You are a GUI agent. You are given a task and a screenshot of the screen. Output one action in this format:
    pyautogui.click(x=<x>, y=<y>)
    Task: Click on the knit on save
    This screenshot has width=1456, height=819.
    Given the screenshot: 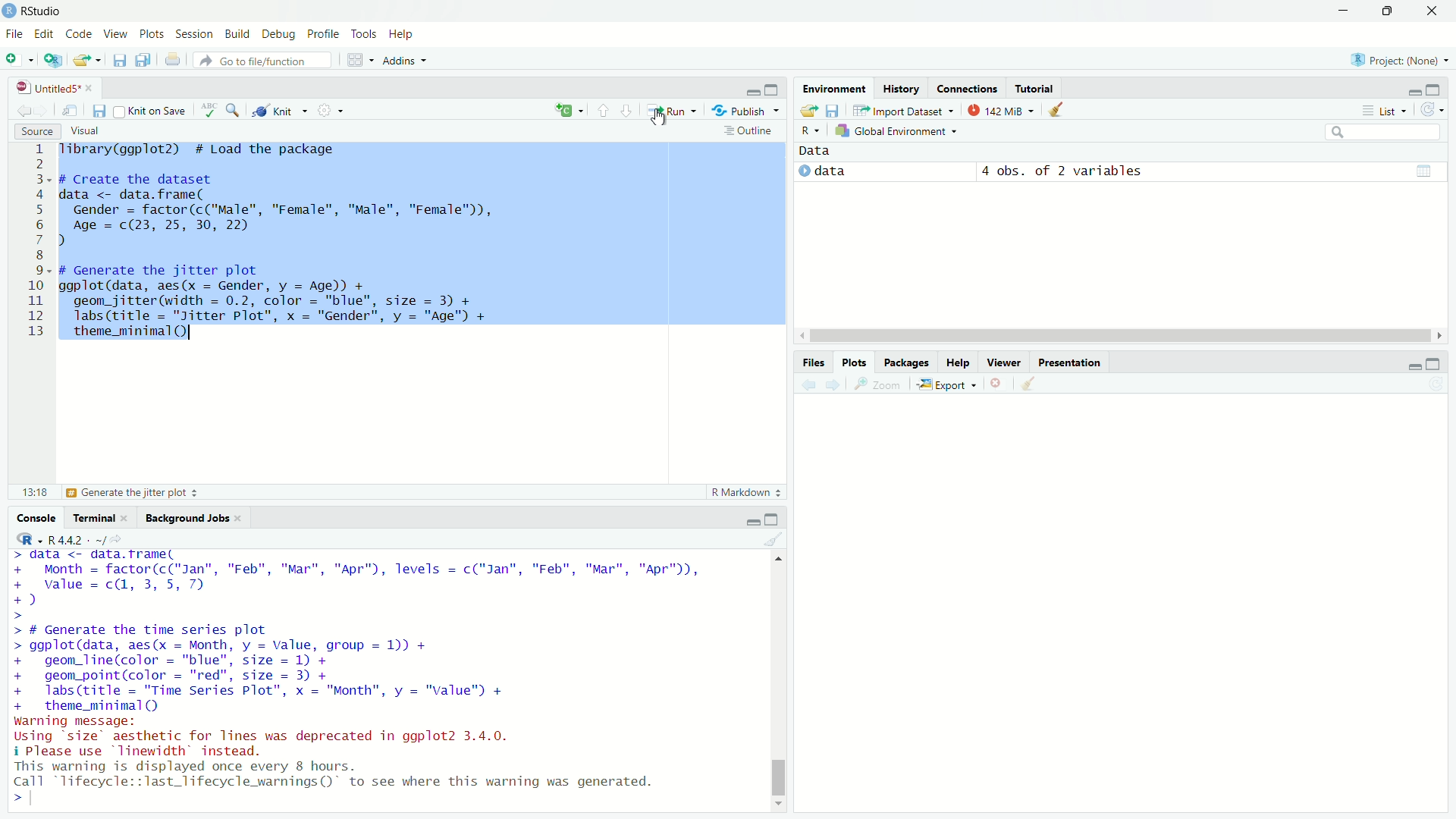 What is the action you would take?
    pyautogui.click(x=153, y=110)
    